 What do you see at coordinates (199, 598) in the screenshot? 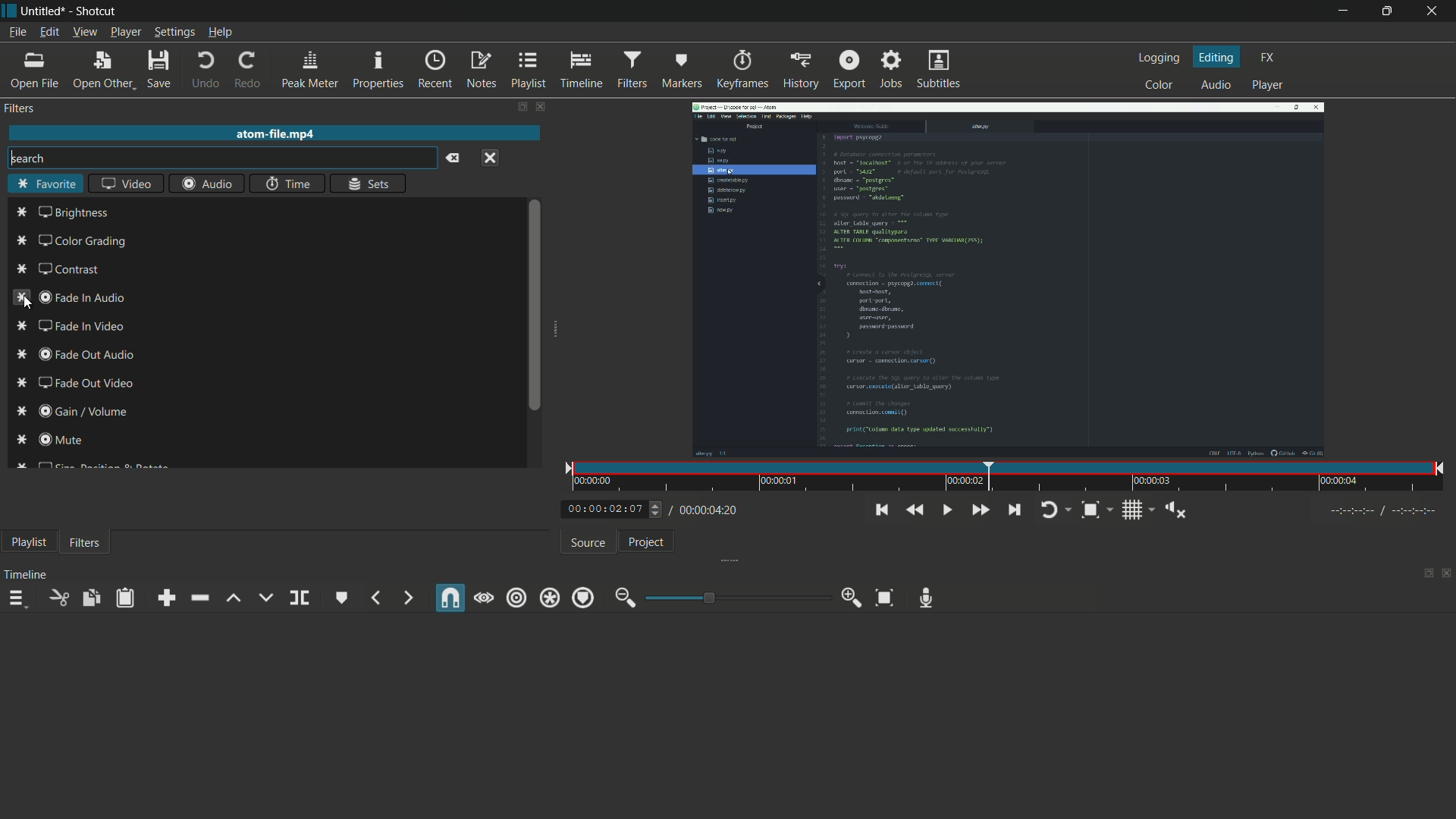
I see `ripple delete` at bounding box center [199, 598].